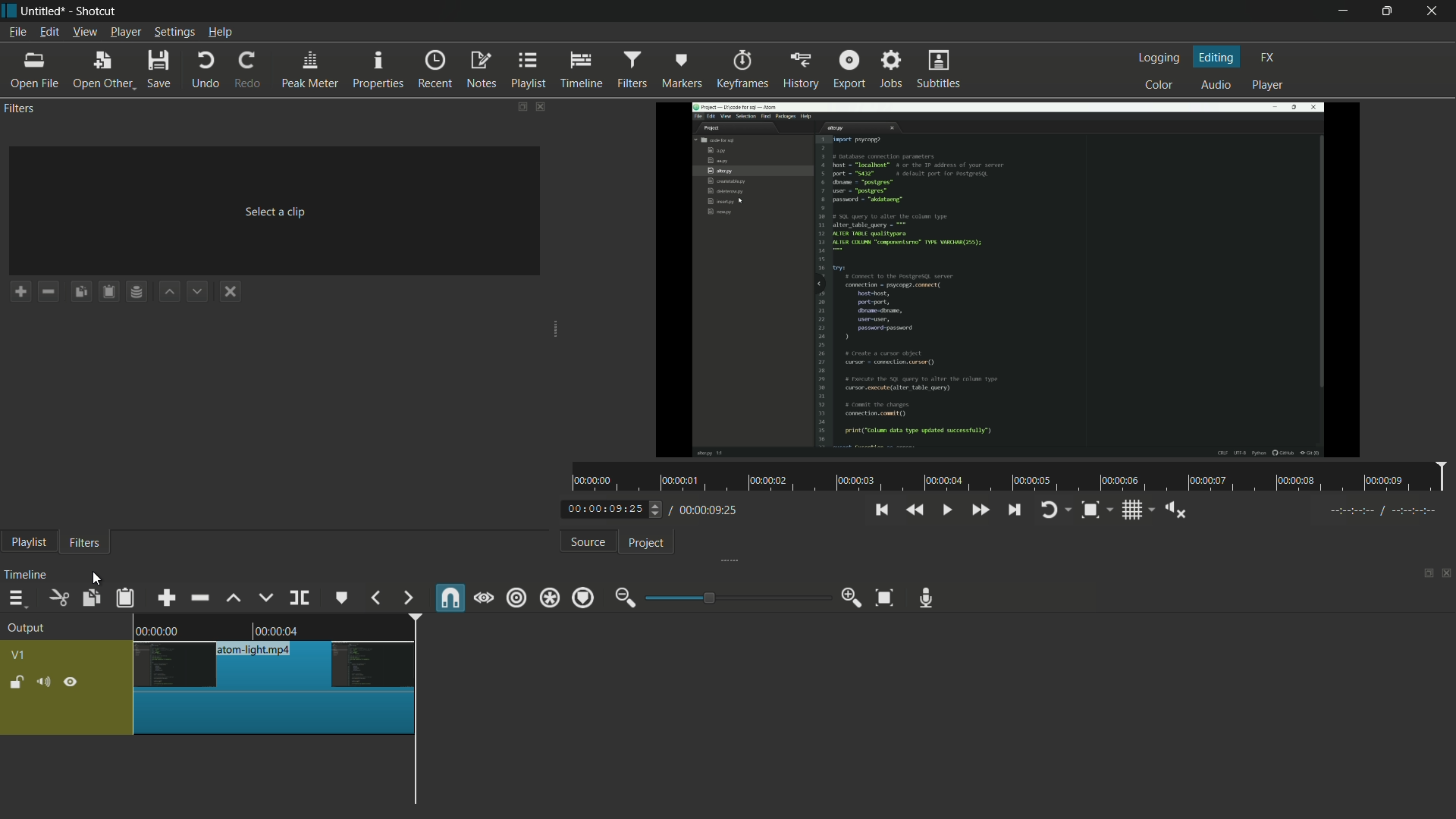 This screenshot has width=1456, height=819. I want to click on video in timeline, so click(284, 625).